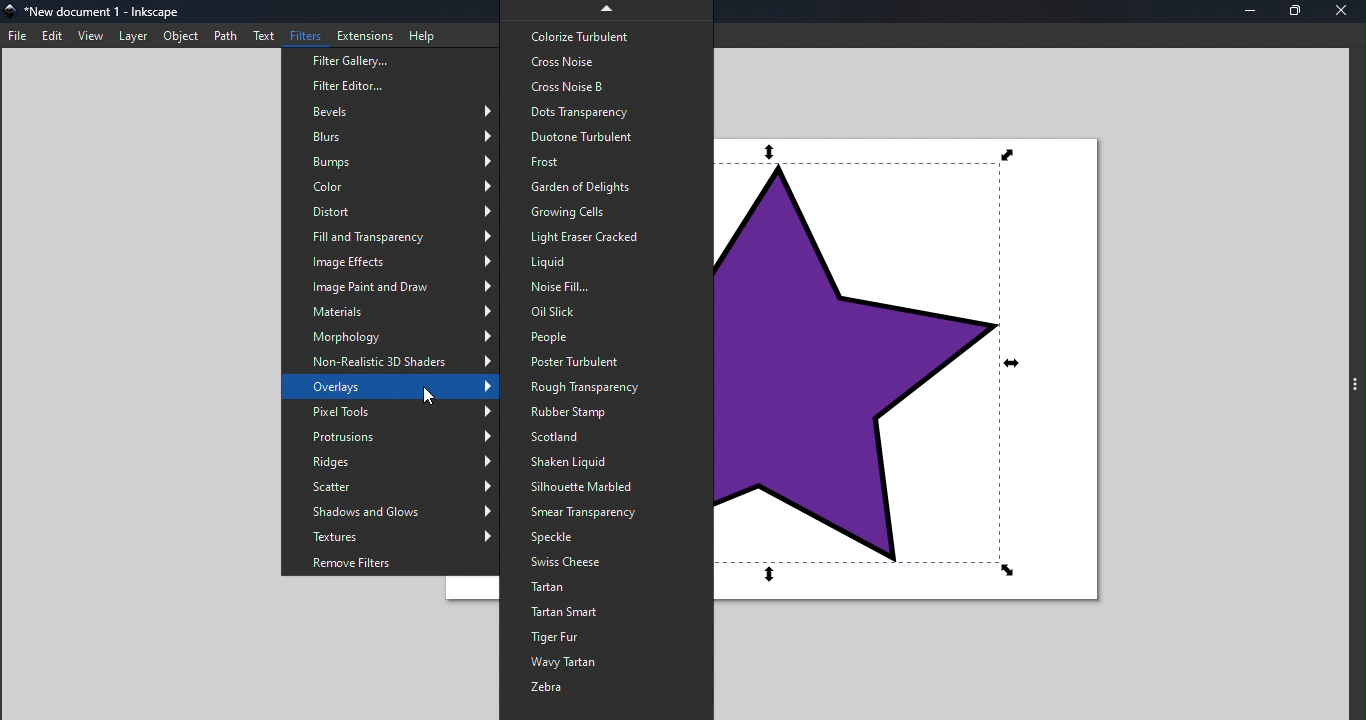 The image size is (1366, 720). Describe the element at coordinates (387, 238) in the screenshot. I see `Fill and Transparency` at that location.